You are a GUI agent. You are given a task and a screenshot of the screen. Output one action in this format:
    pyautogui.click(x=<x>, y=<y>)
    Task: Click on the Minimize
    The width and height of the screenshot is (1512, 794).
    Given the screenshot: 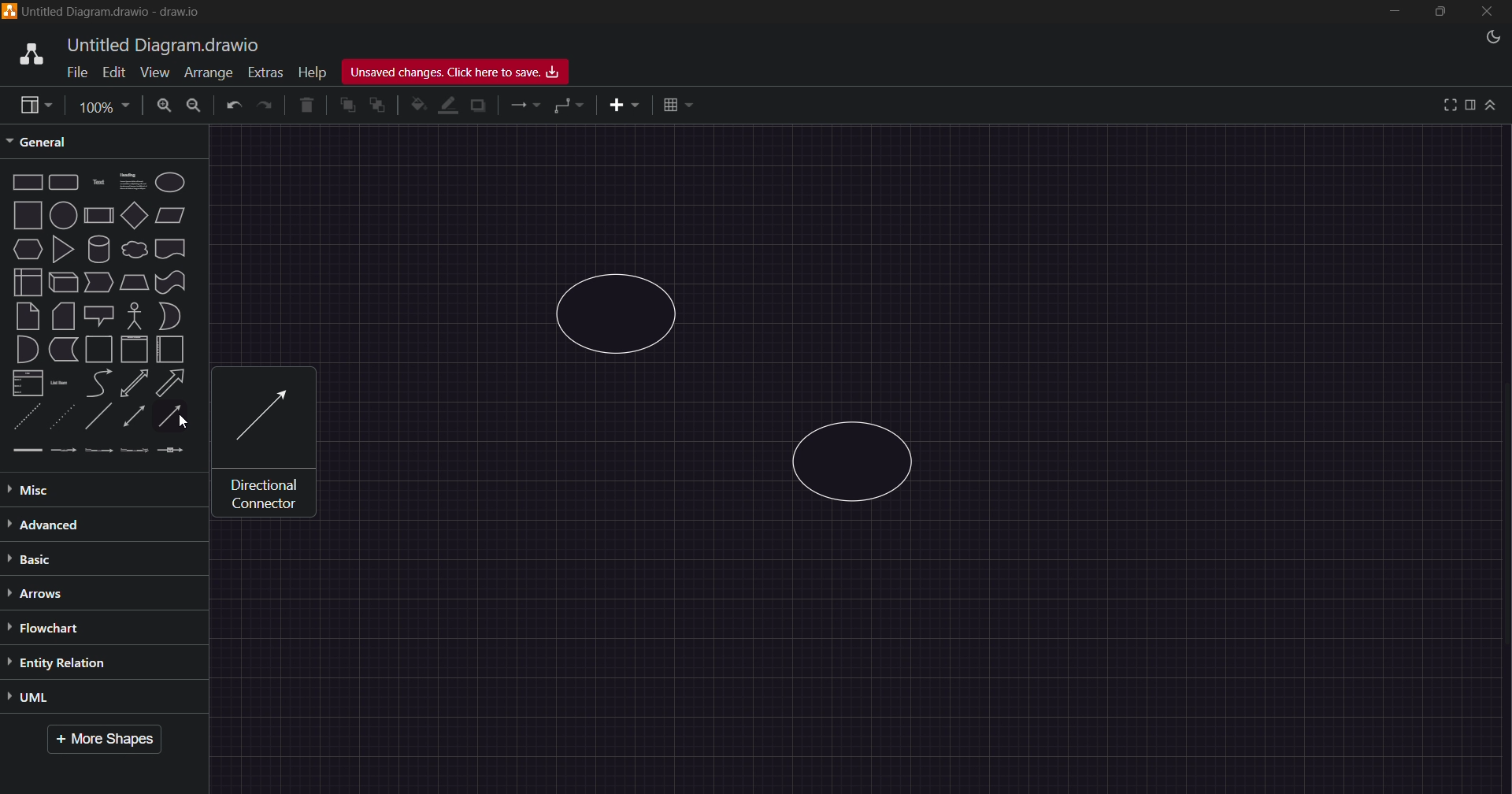 What is the action you would take?
    pyautogui.click(x=1399, y=13)
    